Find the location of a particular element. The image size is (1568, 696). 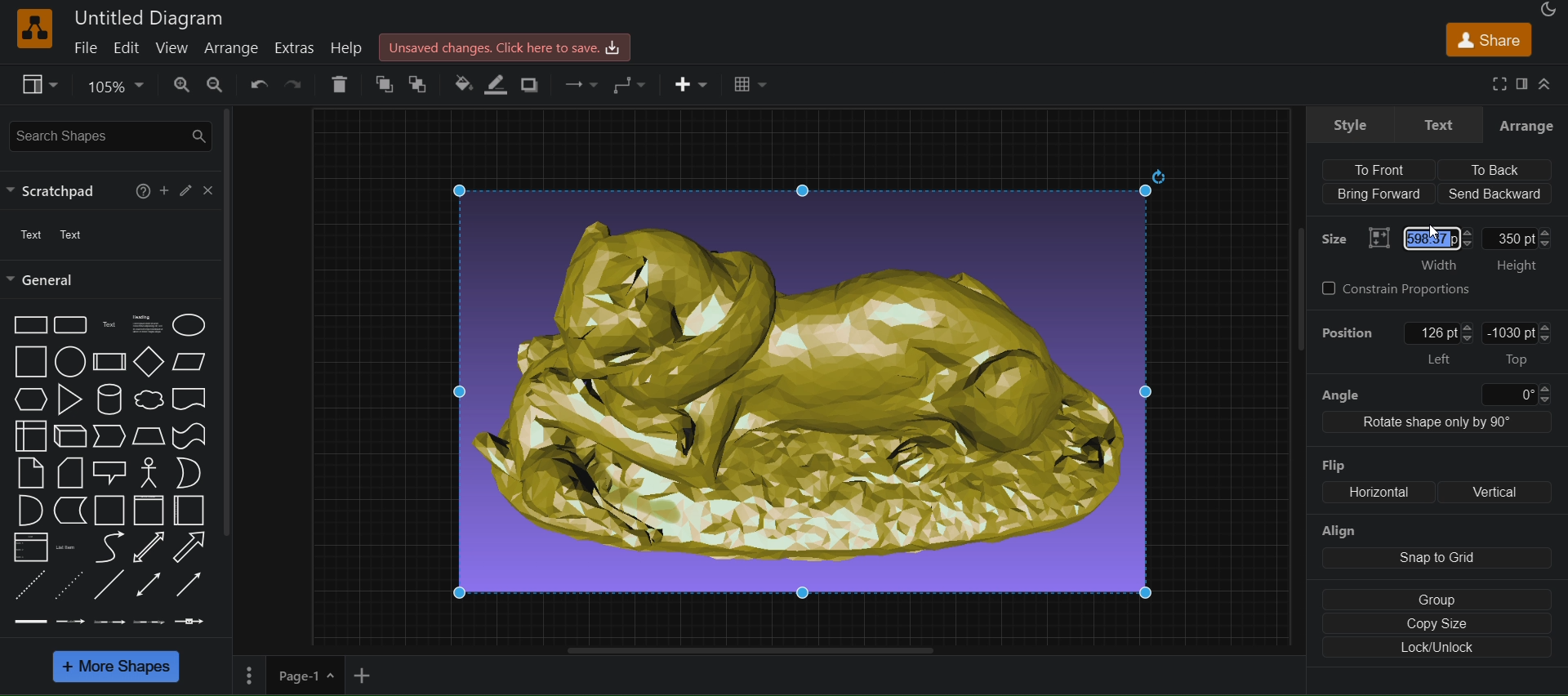

Add is located at coordinates (162, 191).